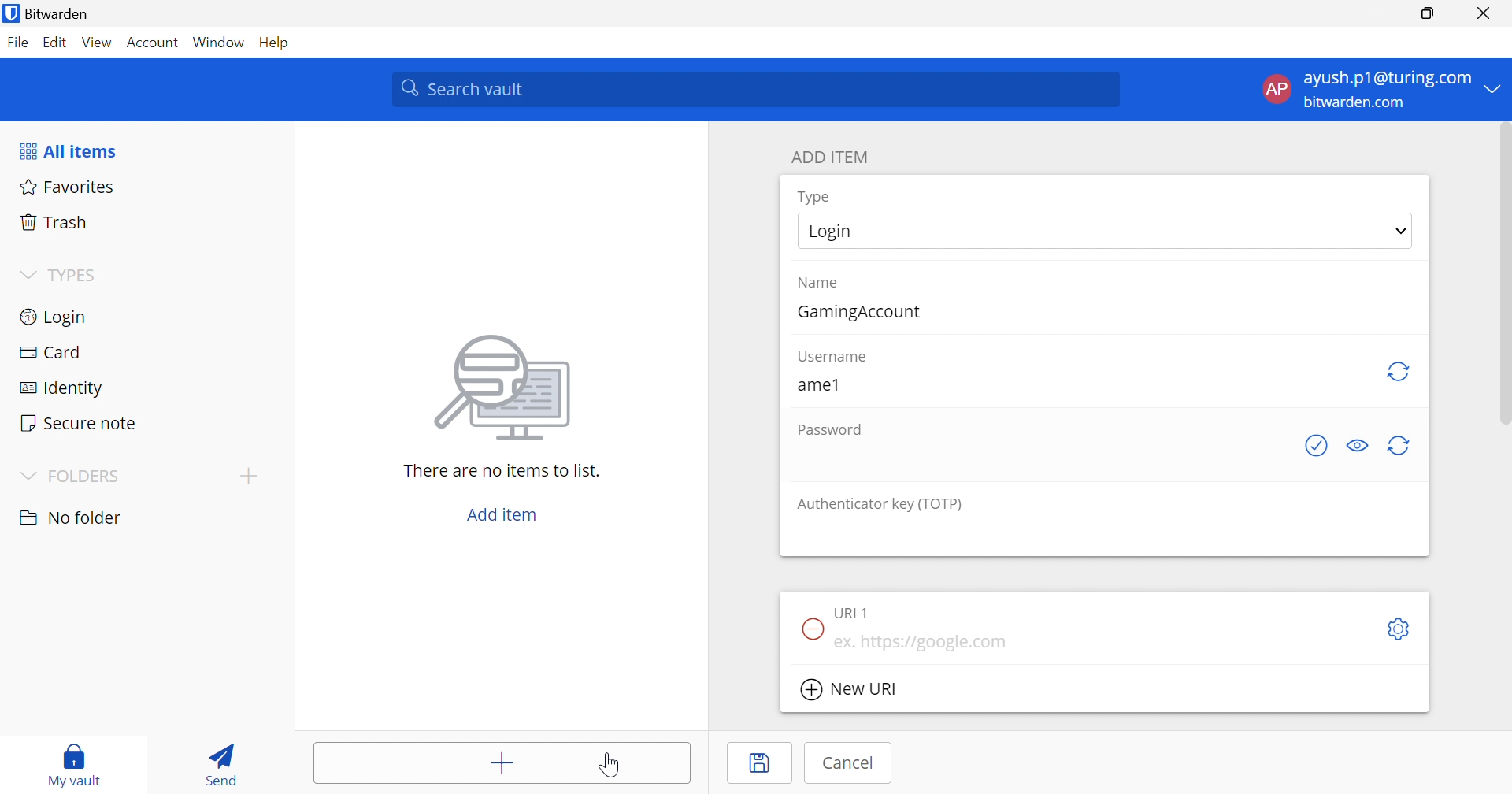 This screenshot has width=1512, height=794. I want to click on Secure note, so click(80, 421).